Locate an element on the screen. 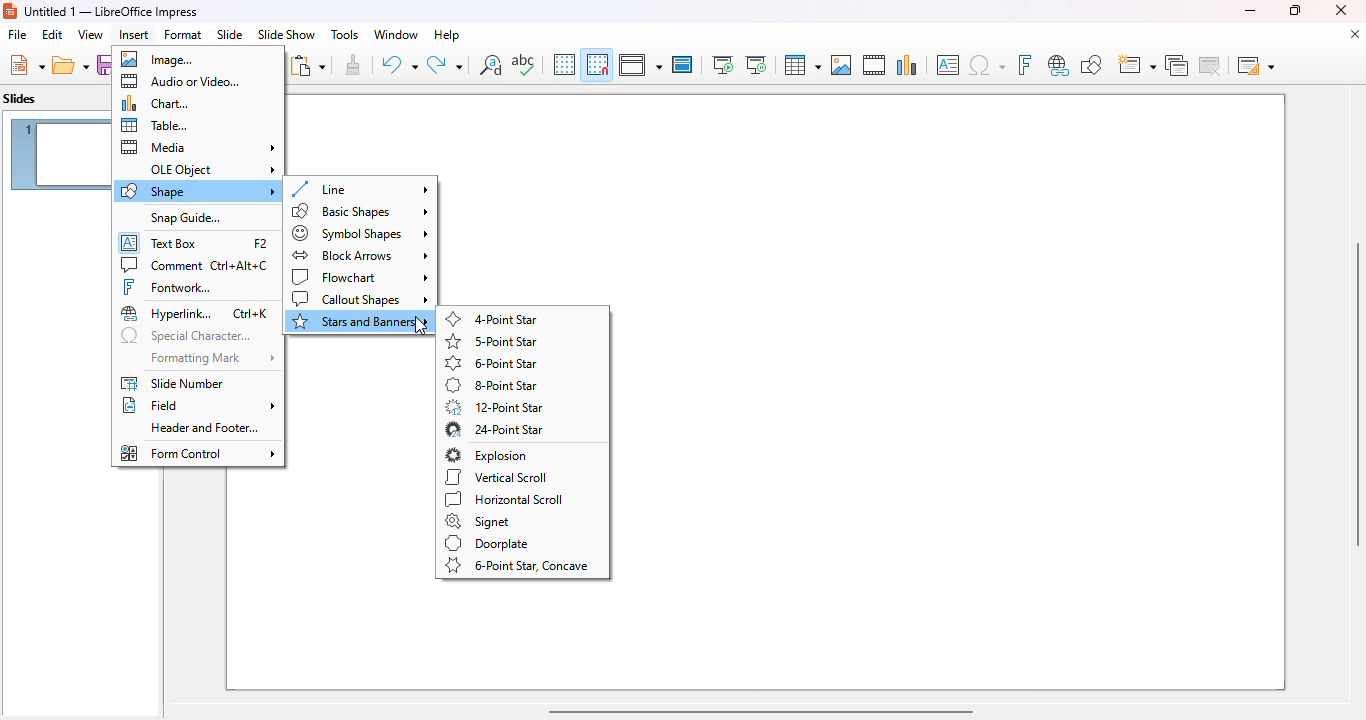  file is located at coordinates (17, 35).